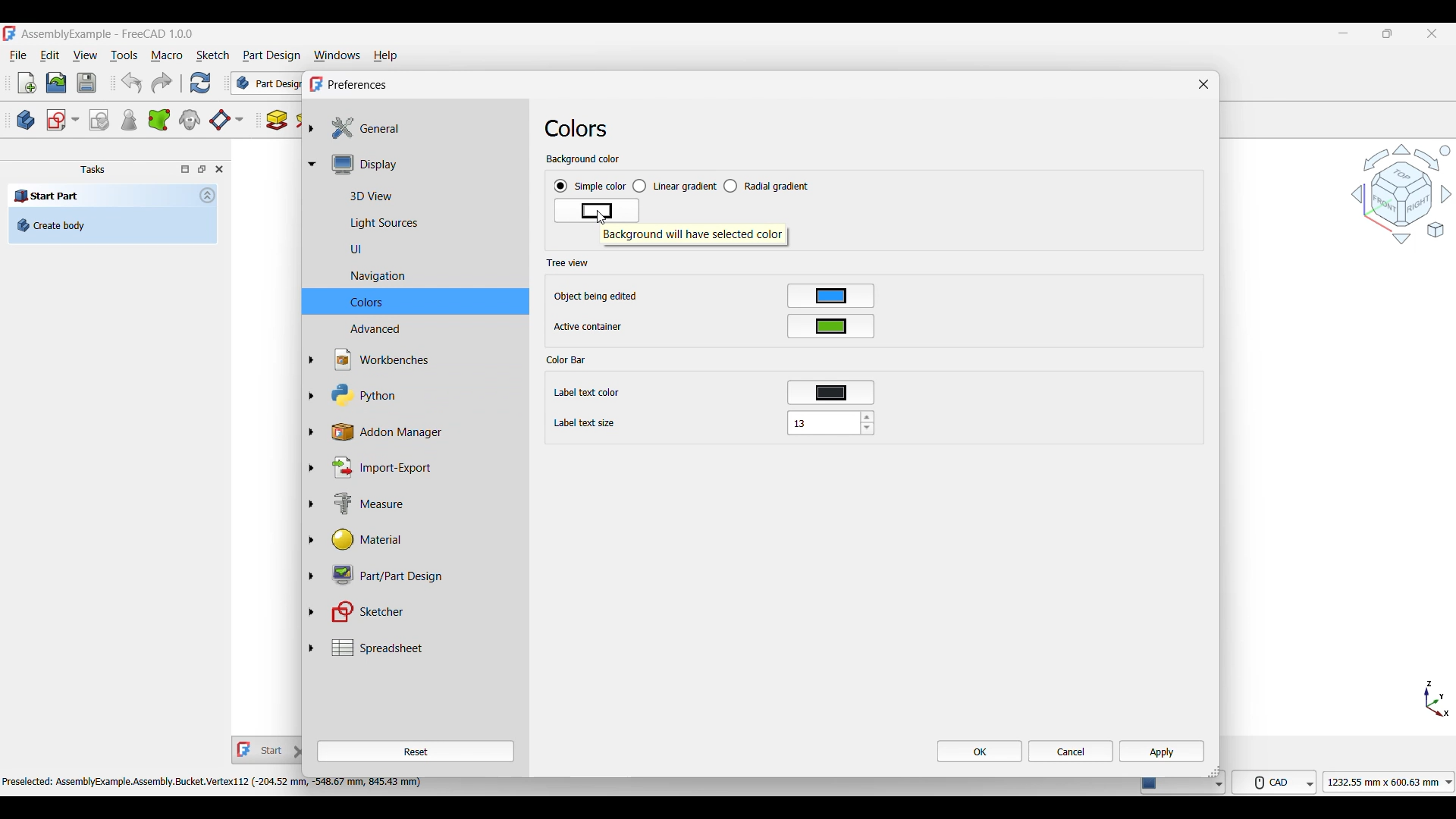  What do you see at coordinates (1277, 781) in the screenshot?
I see `CAD` at bounding box center [1277, 781].